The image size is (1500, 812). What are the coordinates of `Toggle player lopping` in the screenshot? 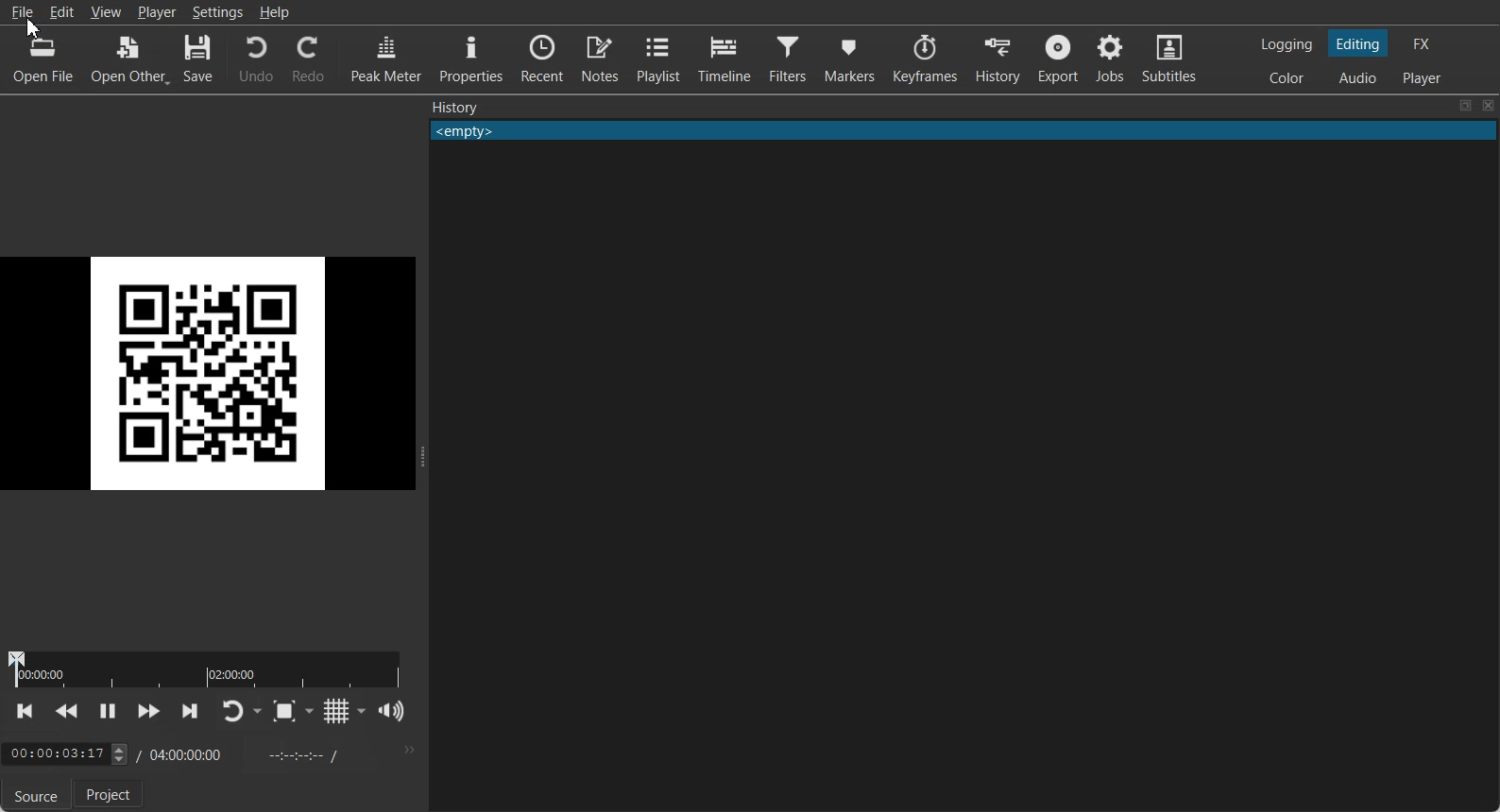 It's located at (231, 711).